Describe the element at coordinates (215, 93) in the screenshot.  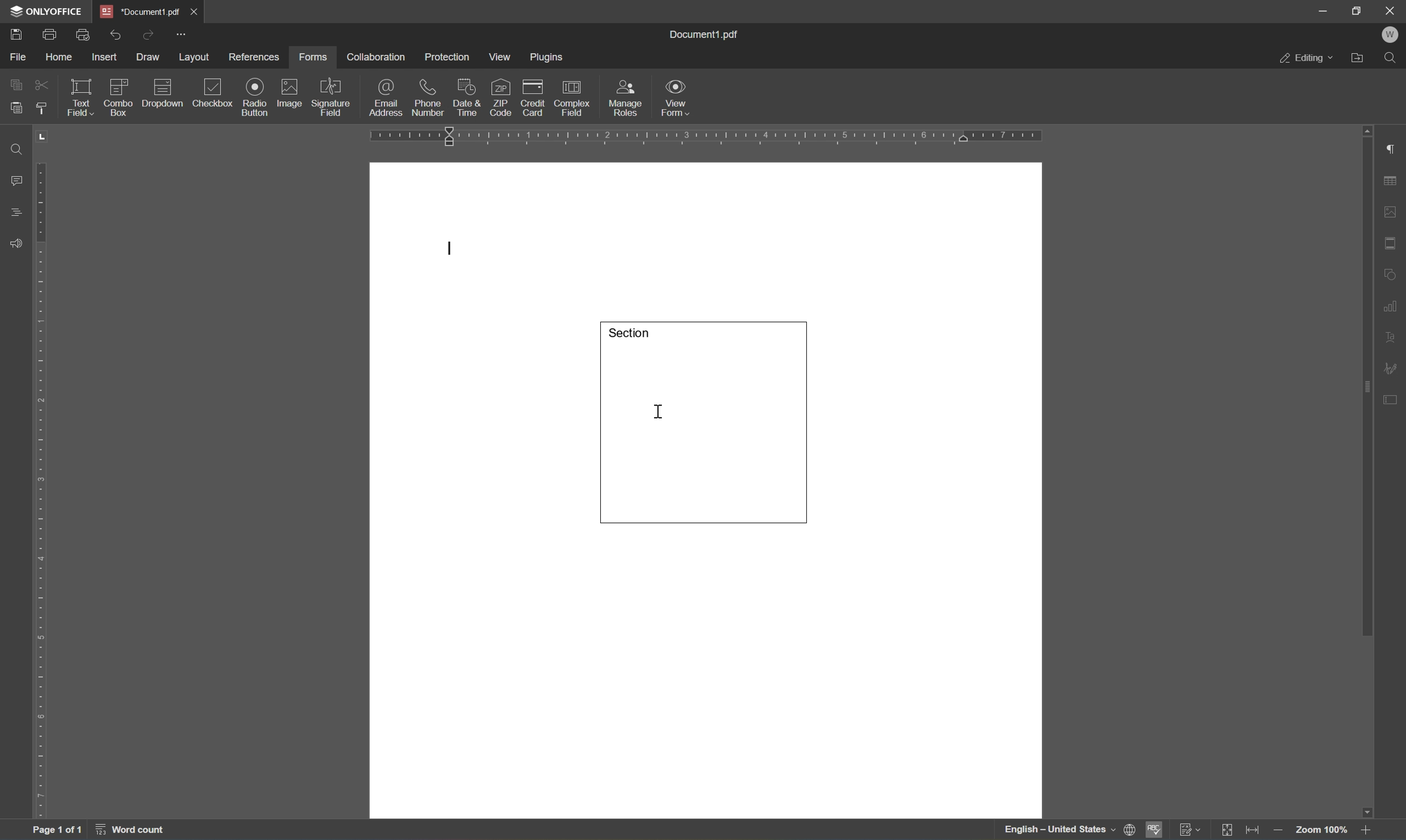
I see `checkbox` at that location.